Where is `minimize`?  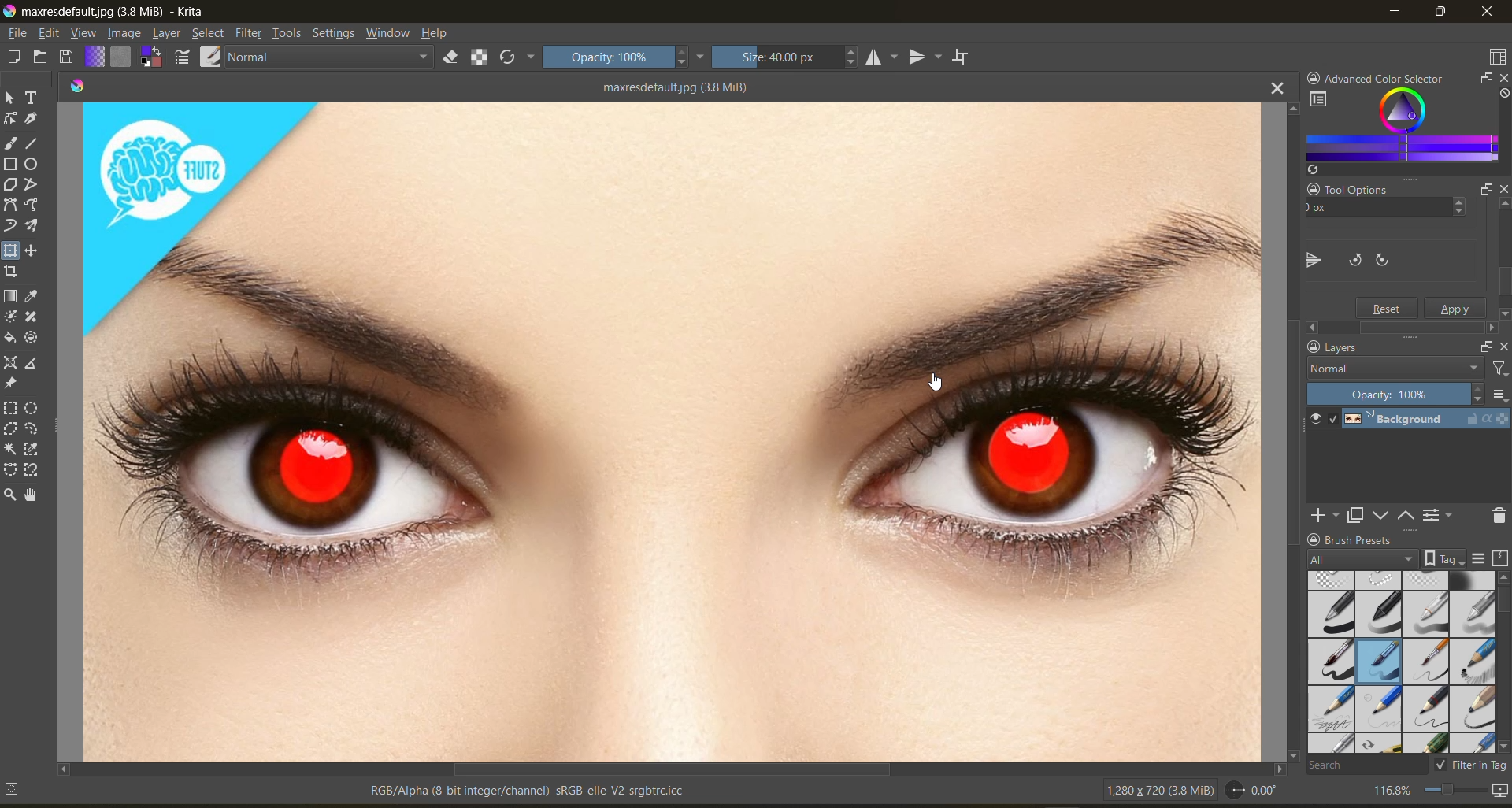 minimize is located at coordinates (1396, 14).